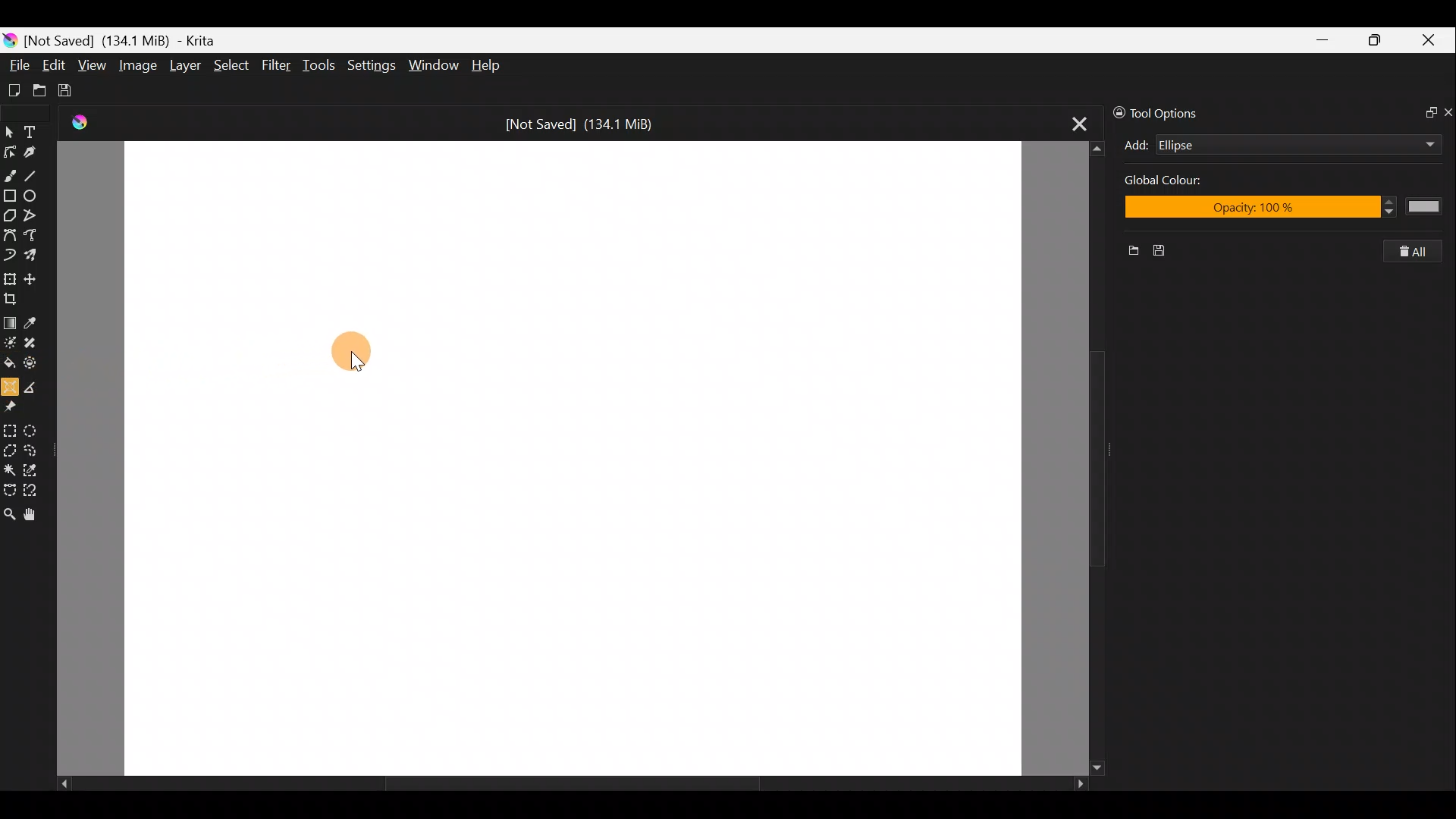 Image resolution: width=1456 pixels, height=819 pixels. Describe the element at coordinates (11, 174) in the screenshot. I see `Freehand brush tool` at that location.